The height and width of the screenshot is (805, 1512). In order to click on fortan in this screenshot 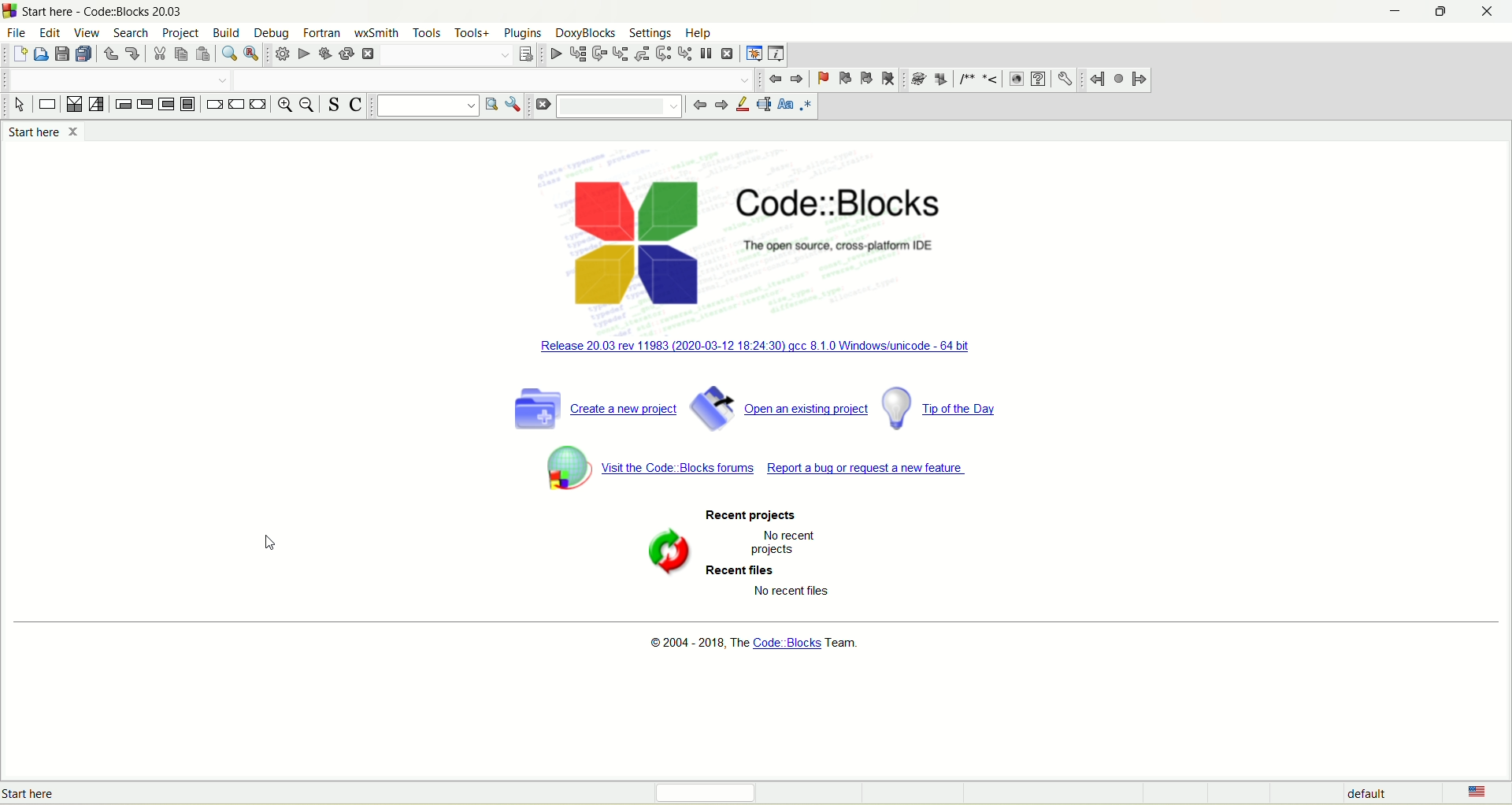, I will do `click(324, 32)`.